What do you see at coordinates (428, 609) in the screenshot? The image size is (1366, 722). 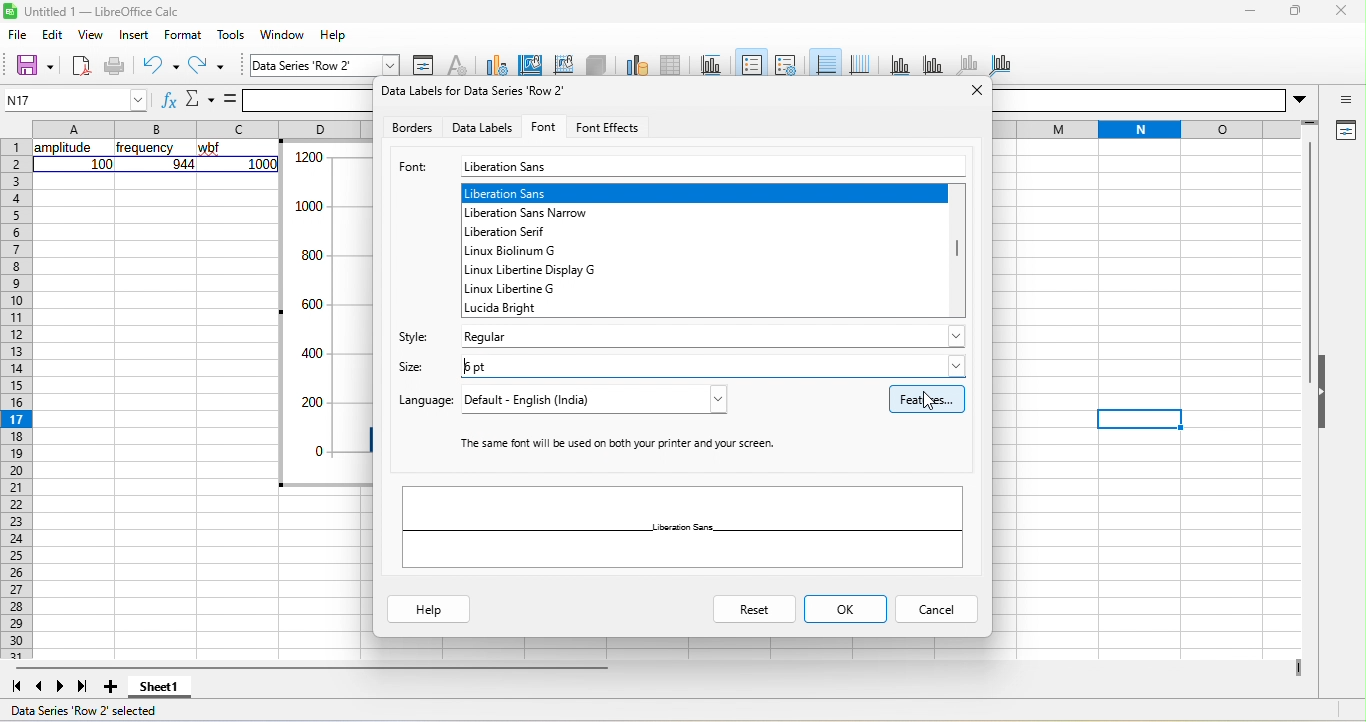 I see `help` at bounding box center [428, 609].